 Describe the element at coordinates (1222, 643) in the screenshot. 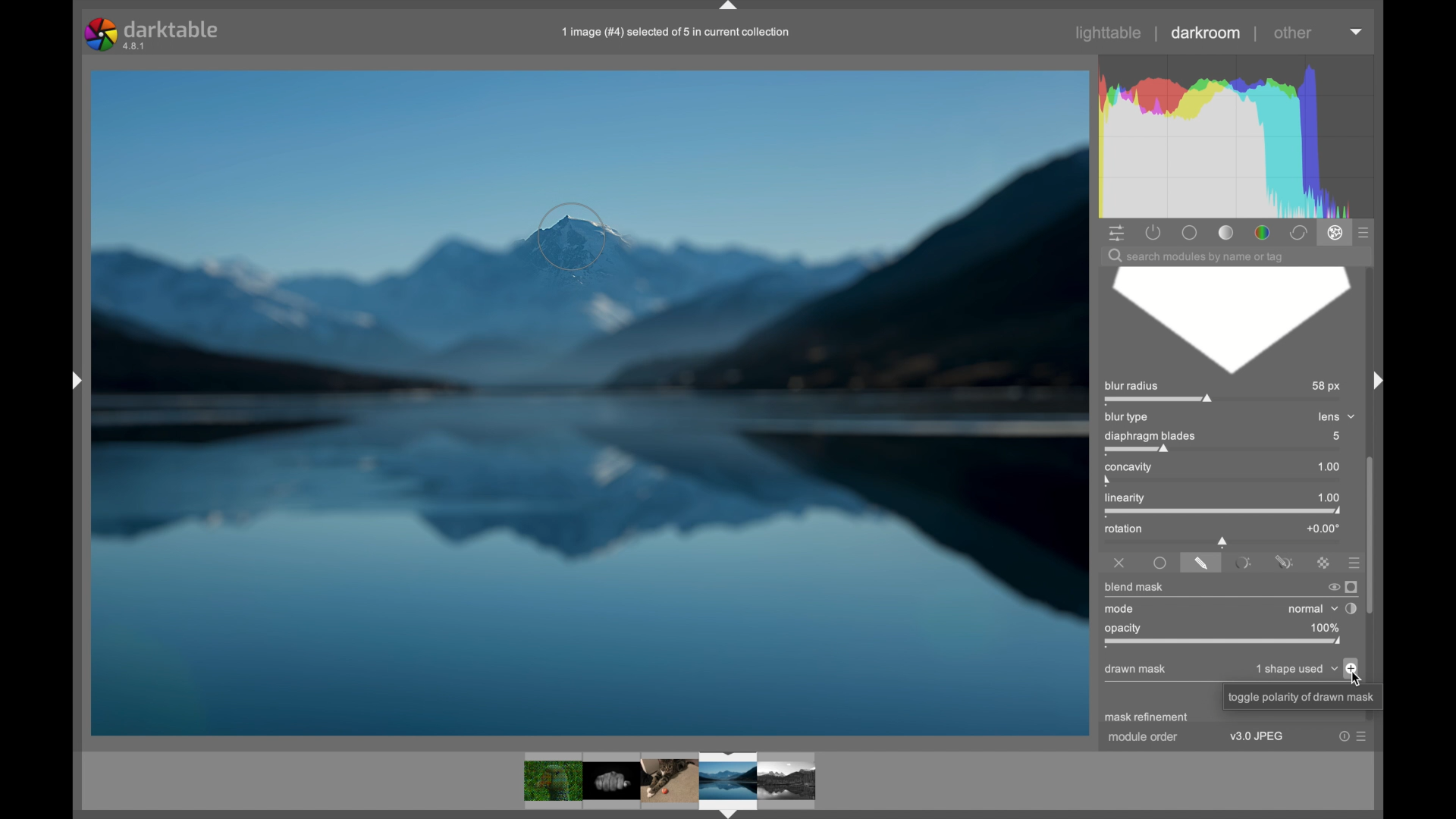

I see `opacity` at that location.